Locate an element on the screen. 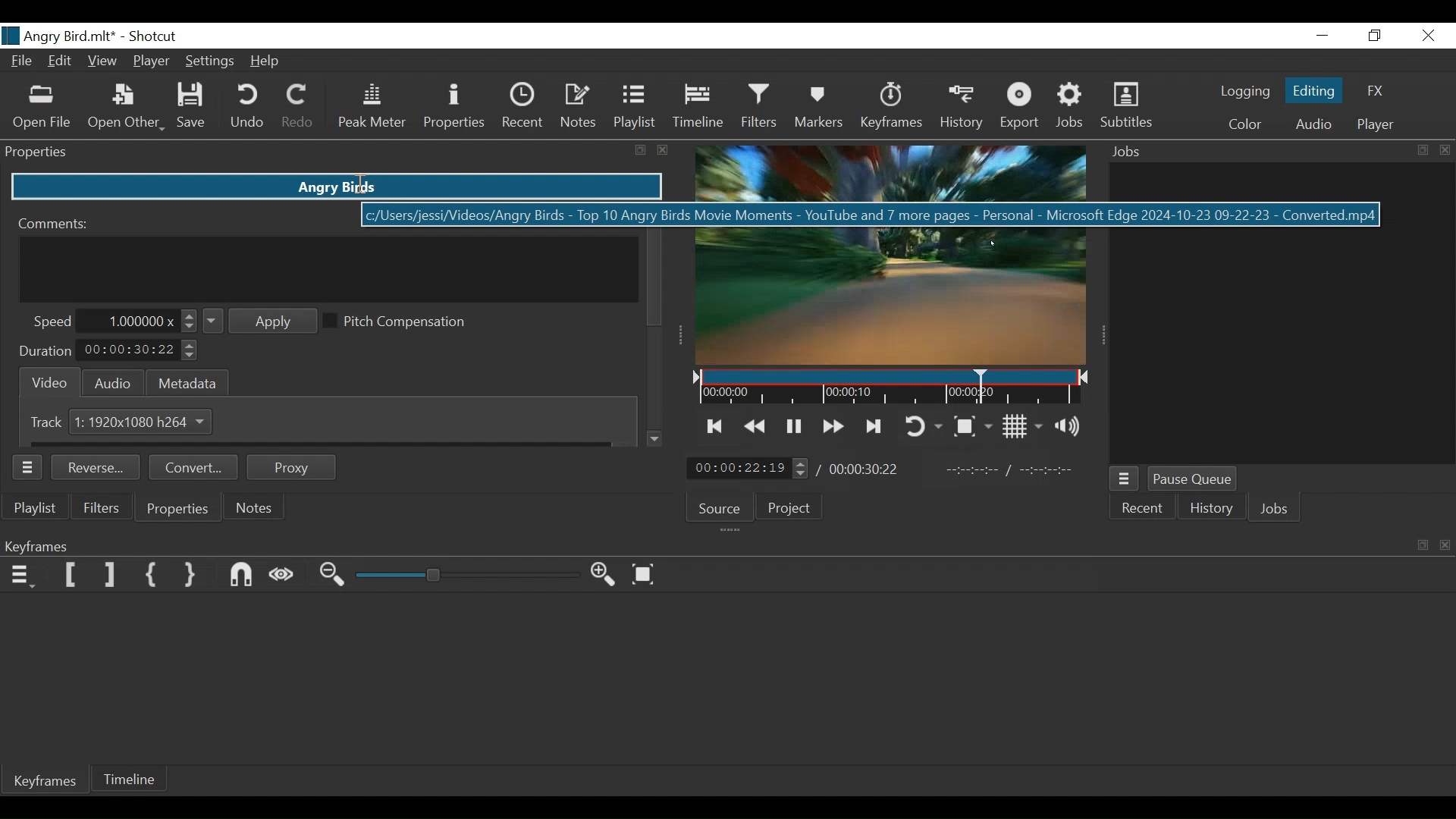 The height and width of the screenshot is (819, 1456). Proxy is located at coordinates (292, 467).